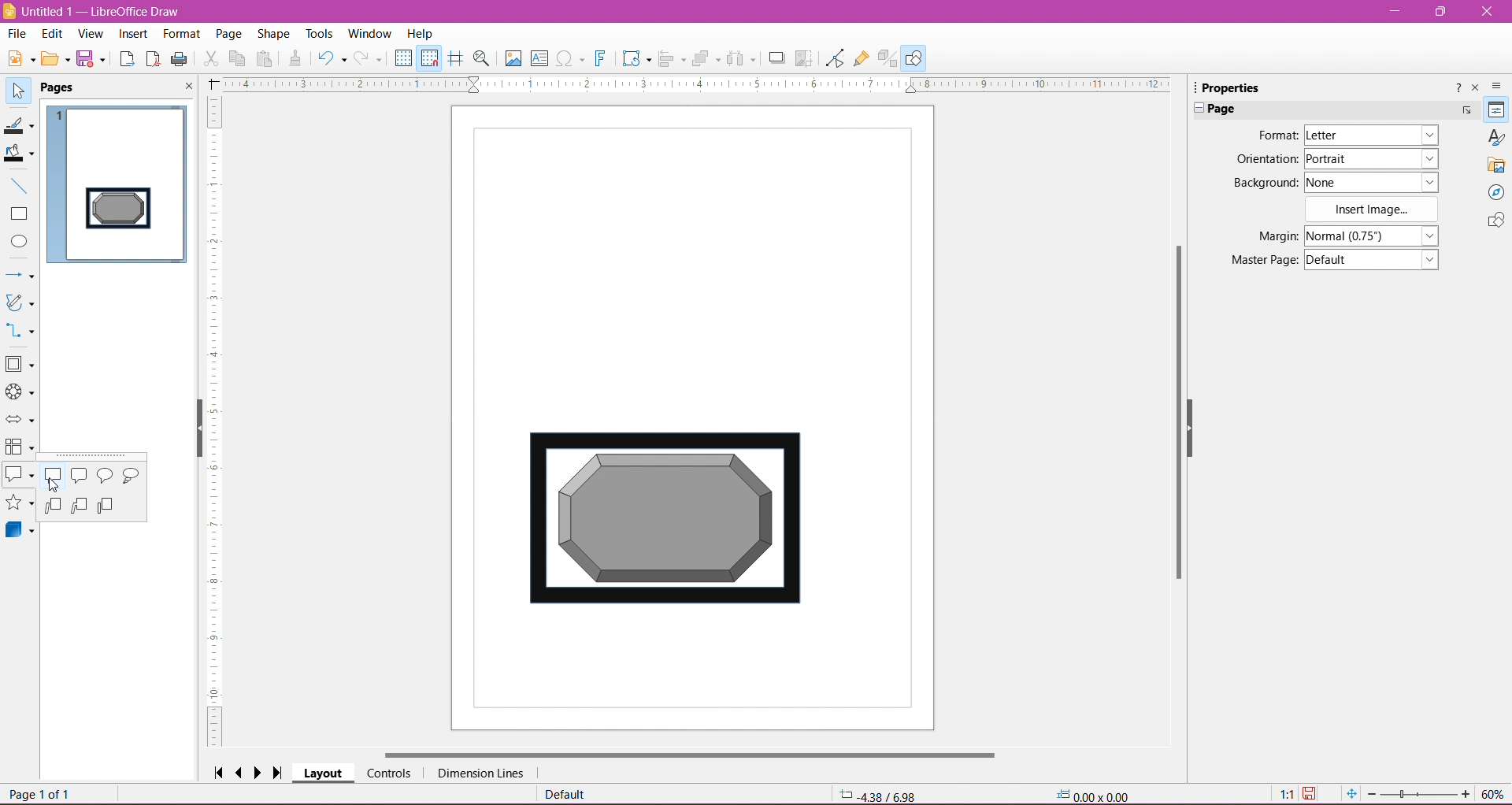 The width and height of the screenshot is (1512, 805). Describe the element at coordinates (261, 772) in the screenshot. I see `Scroll to next page` at that location.